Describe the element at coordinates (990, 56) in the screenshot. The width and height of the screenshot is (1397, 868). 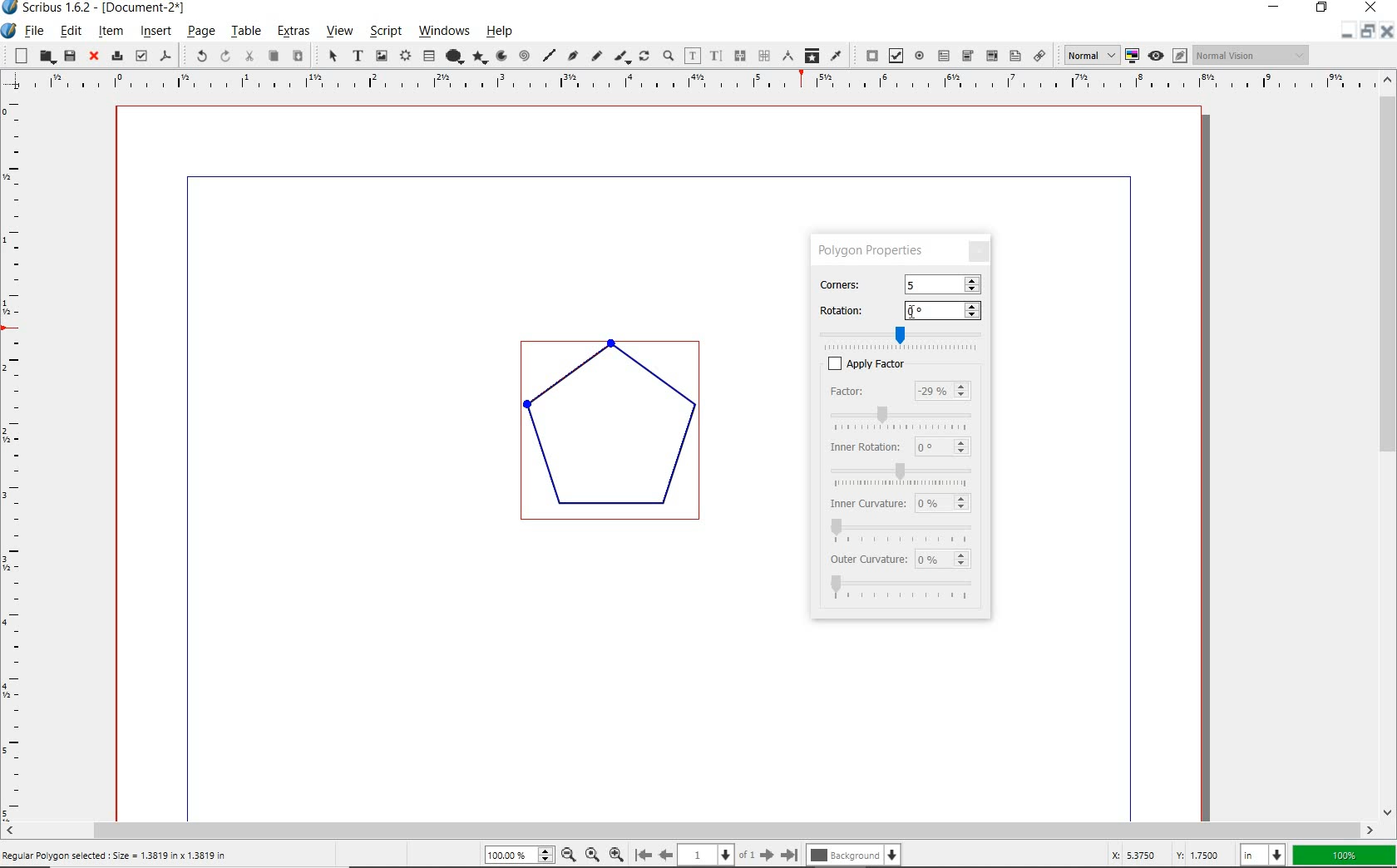
I see `pdf combo box` at that location.